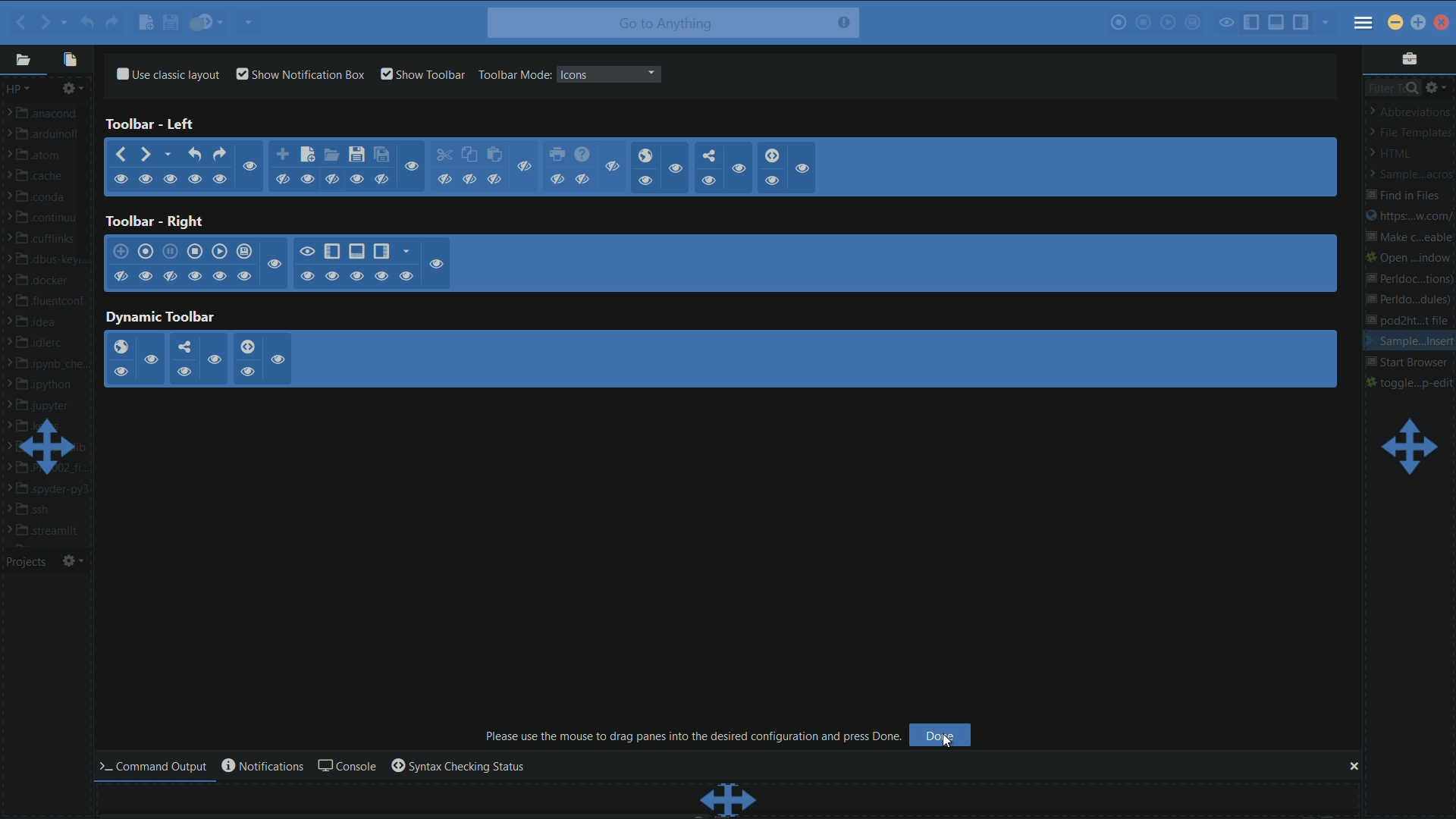 The image size is (1456, 819). What do you see at coordinates (120, 347) in the screenshot?
I see `view in browser` at bounding box center [120, 347].